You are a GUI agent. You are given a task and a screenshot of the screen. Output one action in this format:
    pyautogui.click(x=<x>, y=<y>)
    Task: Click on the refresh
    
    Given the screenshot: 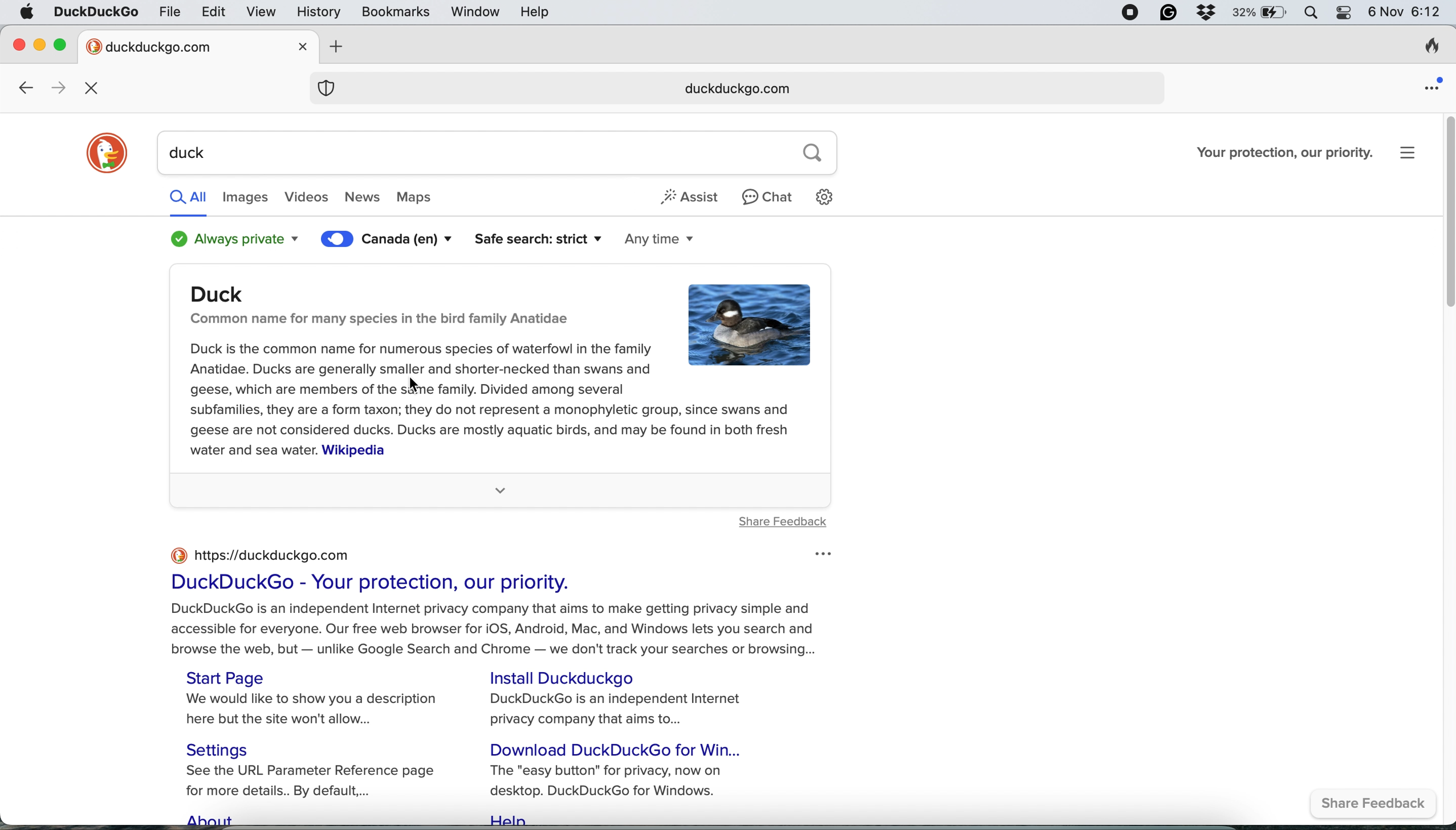 What is the action you would take?
    pyautogui.click(x=96, y=88)
    